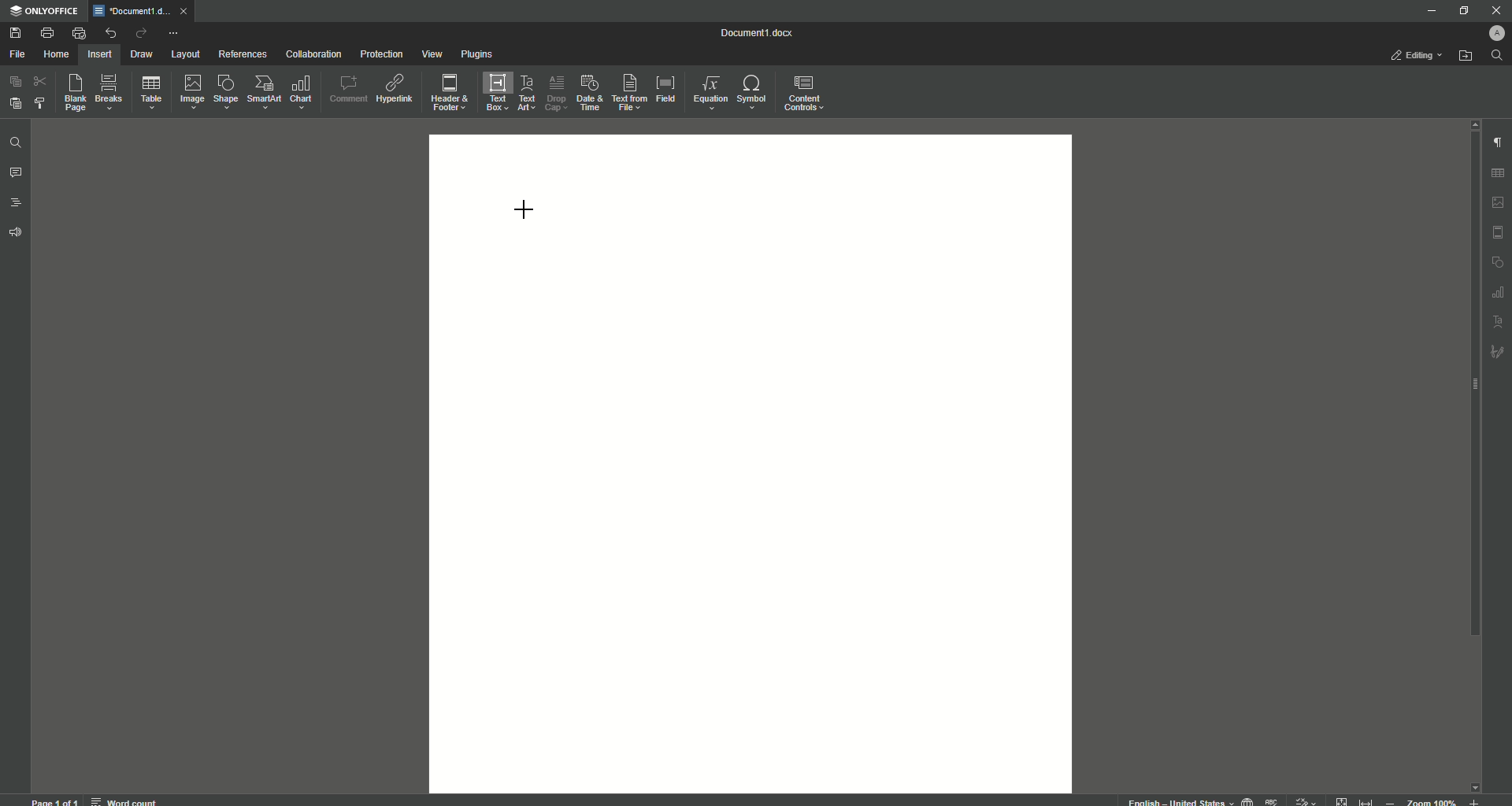 The image size is (1512, 806). What do you see at coordinates (1247, 800) in the screenshot?
I see `set document language` at bounding box center [1247, 800].